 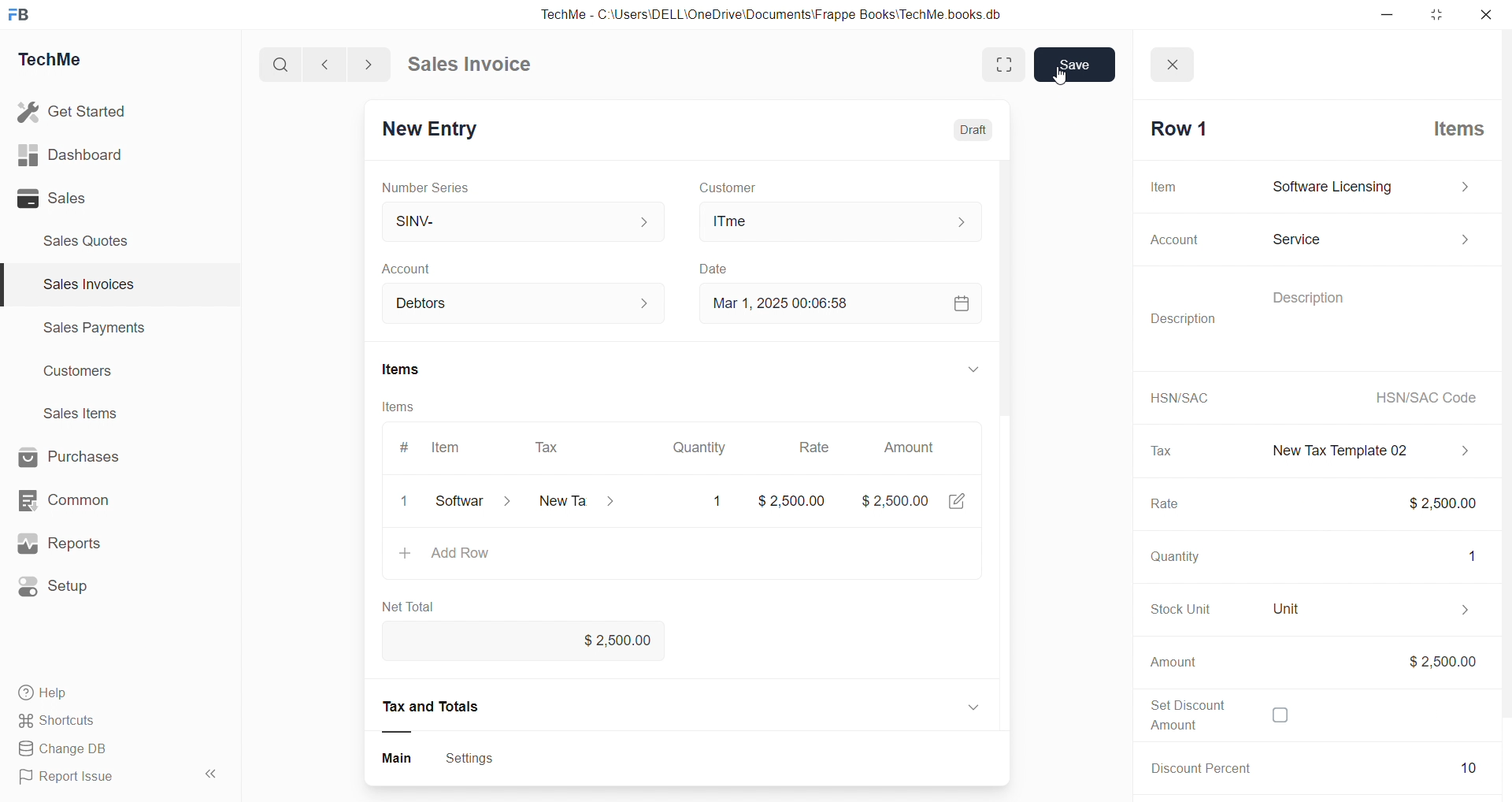 I want to click on Set Discount
Amount, so click(x=1180, y=714).